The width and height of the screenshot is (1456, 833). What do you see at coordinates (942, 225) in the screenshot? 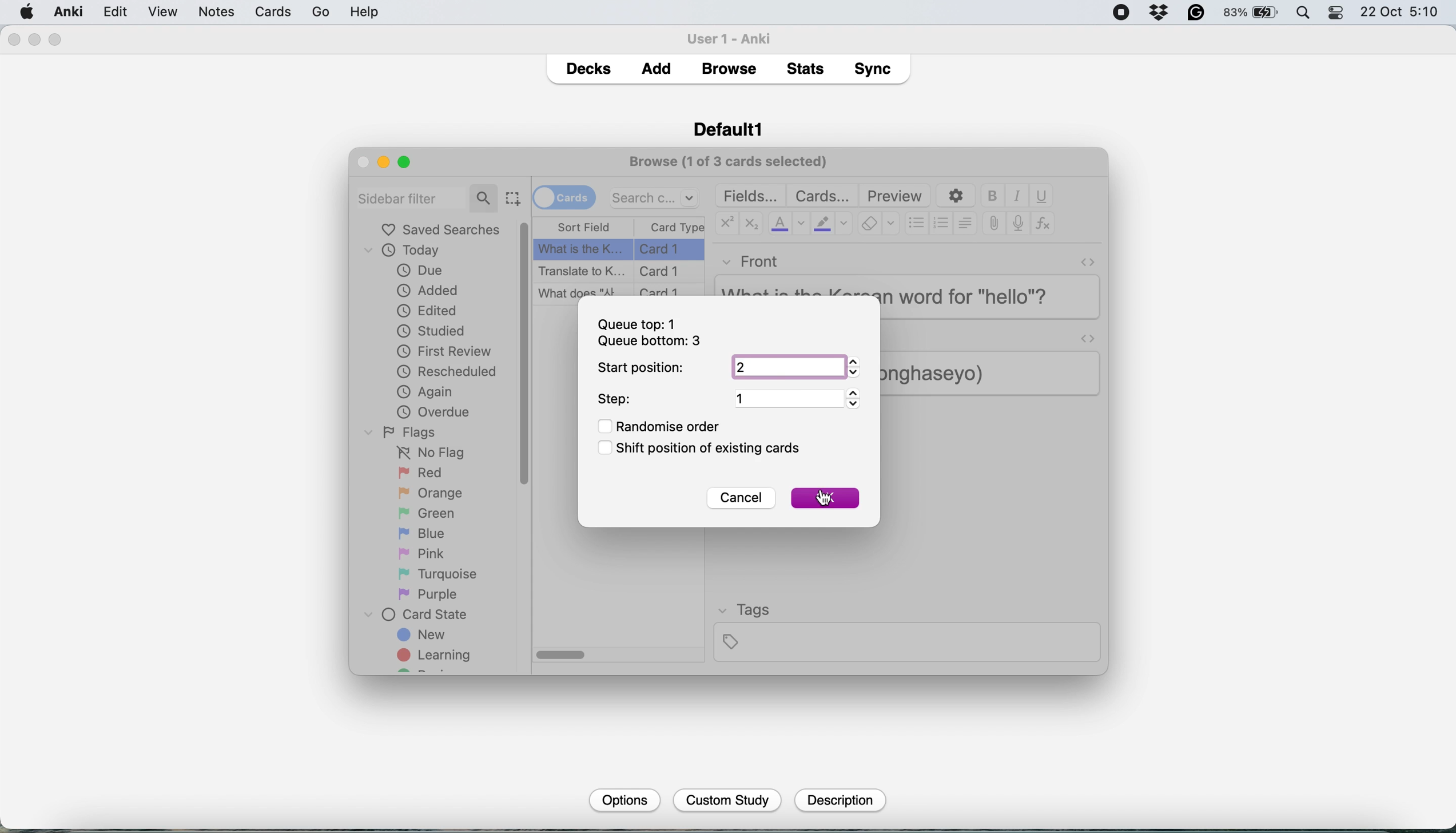
I see `numbered list` at bounding box center [942, 225].